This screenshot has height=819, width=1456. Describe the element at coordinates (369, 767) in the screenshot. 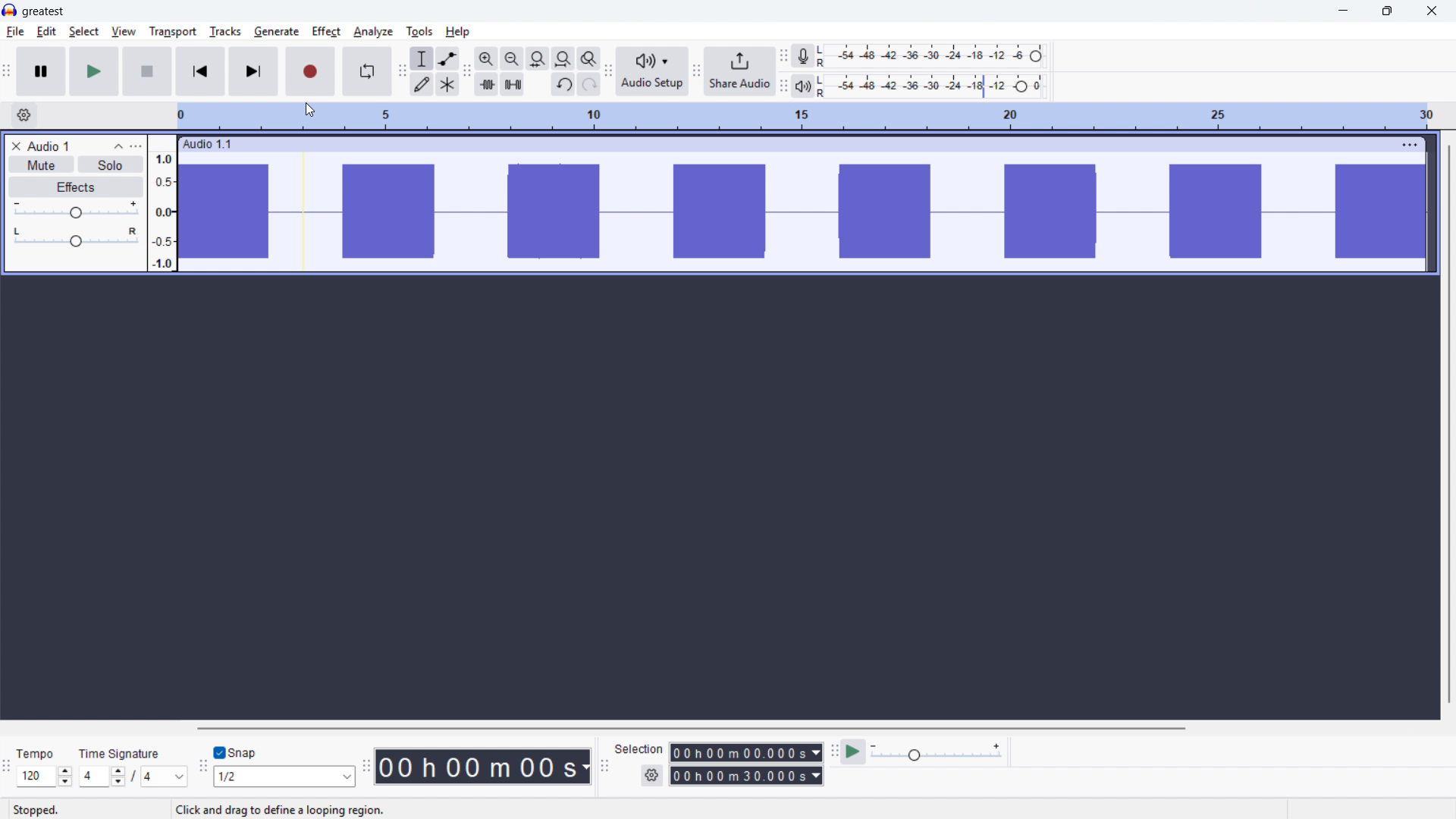

I see `Time toolbar ` at that location.